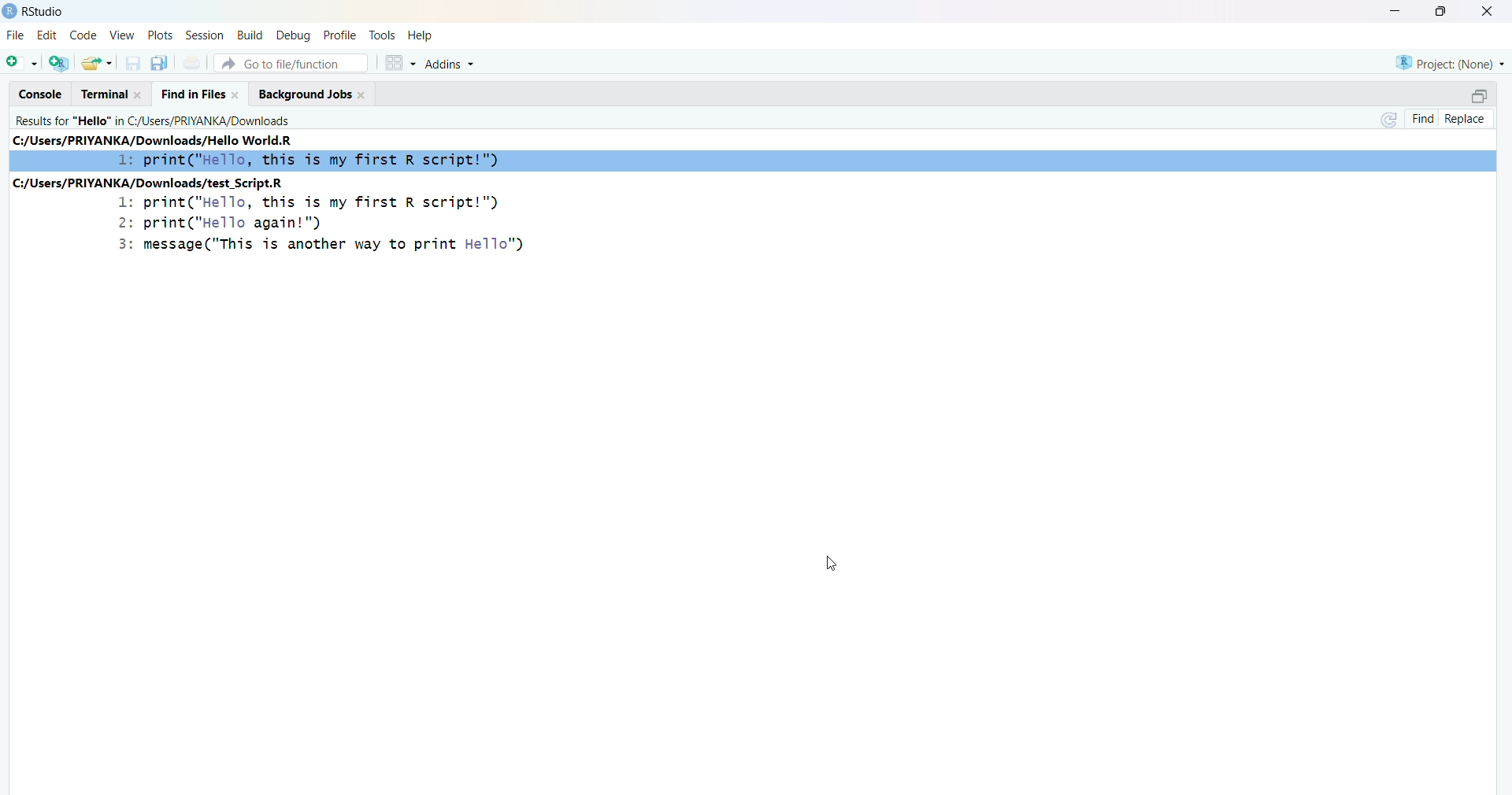 The height and width of the screenshot is (795, 1512). I want to click on open in separate window, so click(1480, 95).